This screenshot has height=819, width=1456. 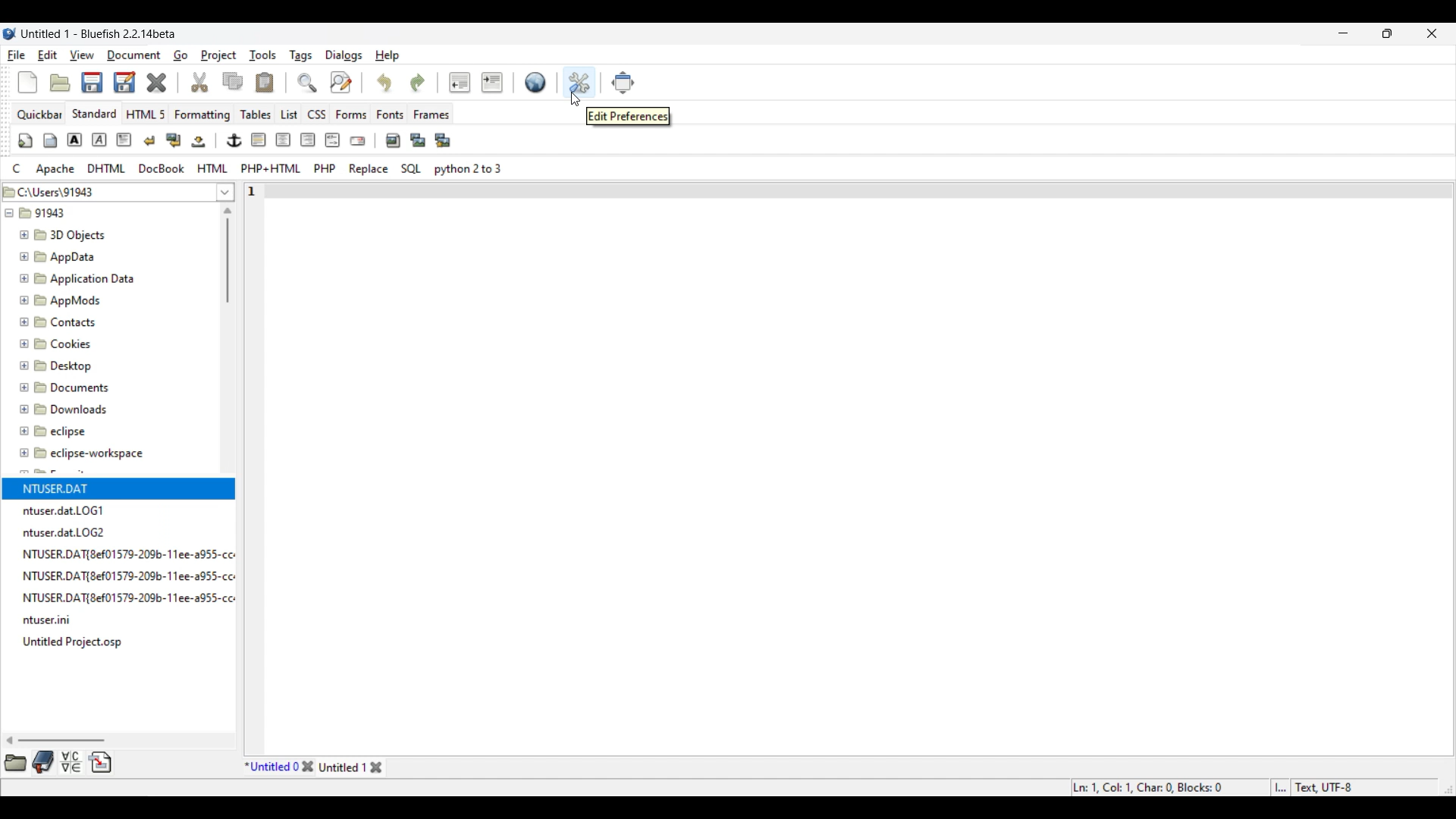 I want to click on Contacts, so click(x=61, y=321).